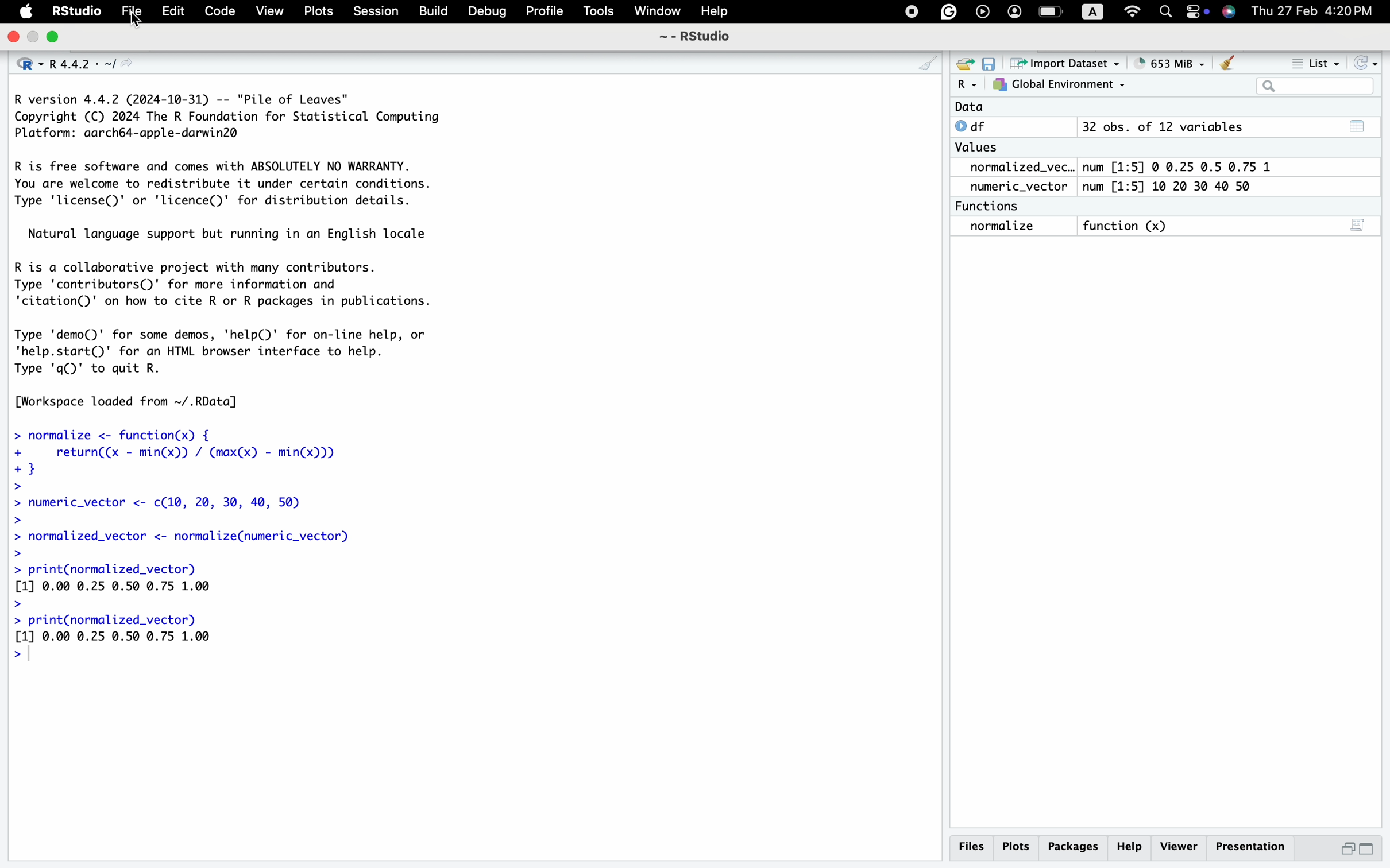  I want to click on Window, so click(657, 13).